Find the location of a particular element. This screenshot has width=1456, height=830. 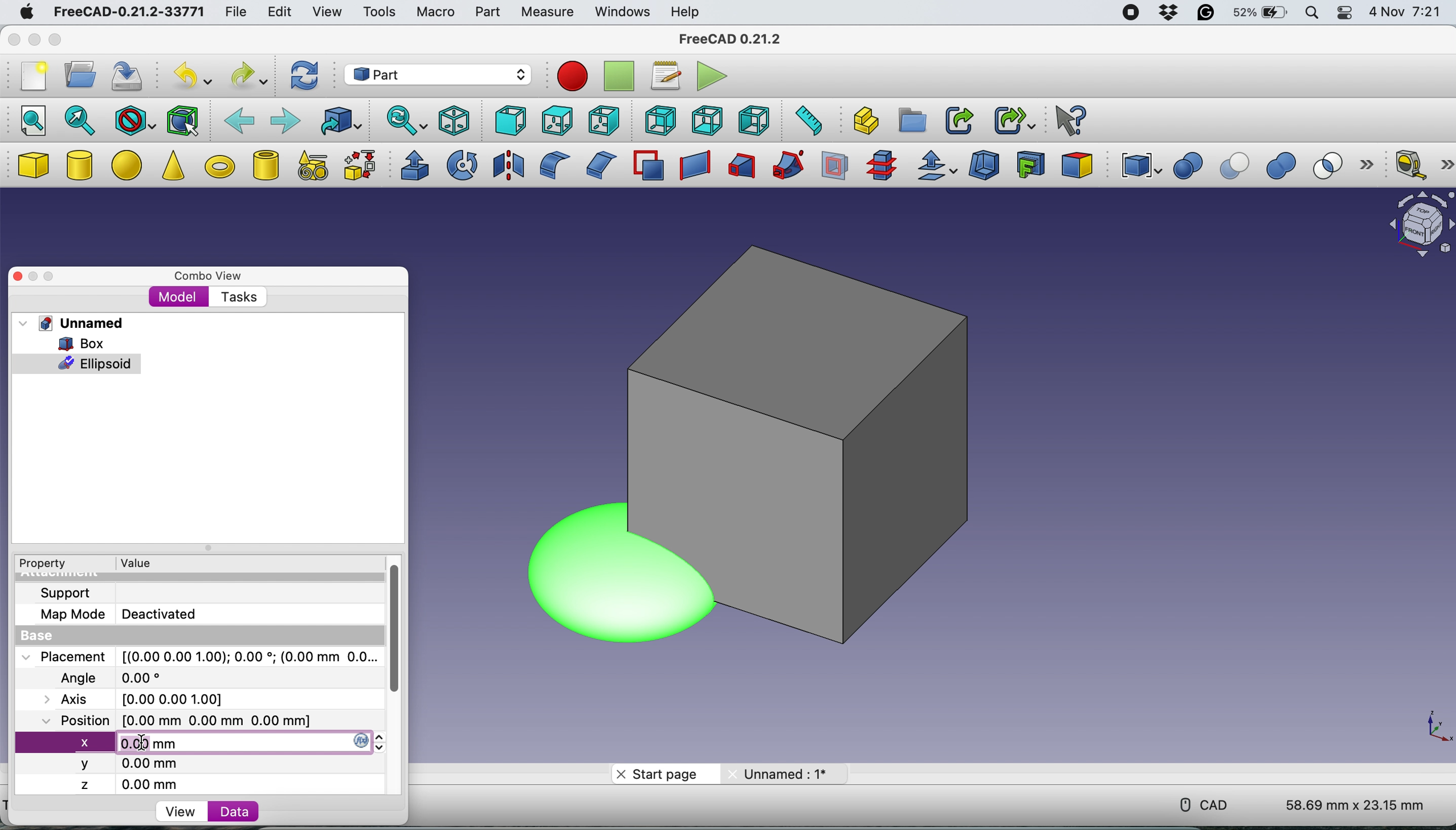

open is located at coordinates (76, 75).